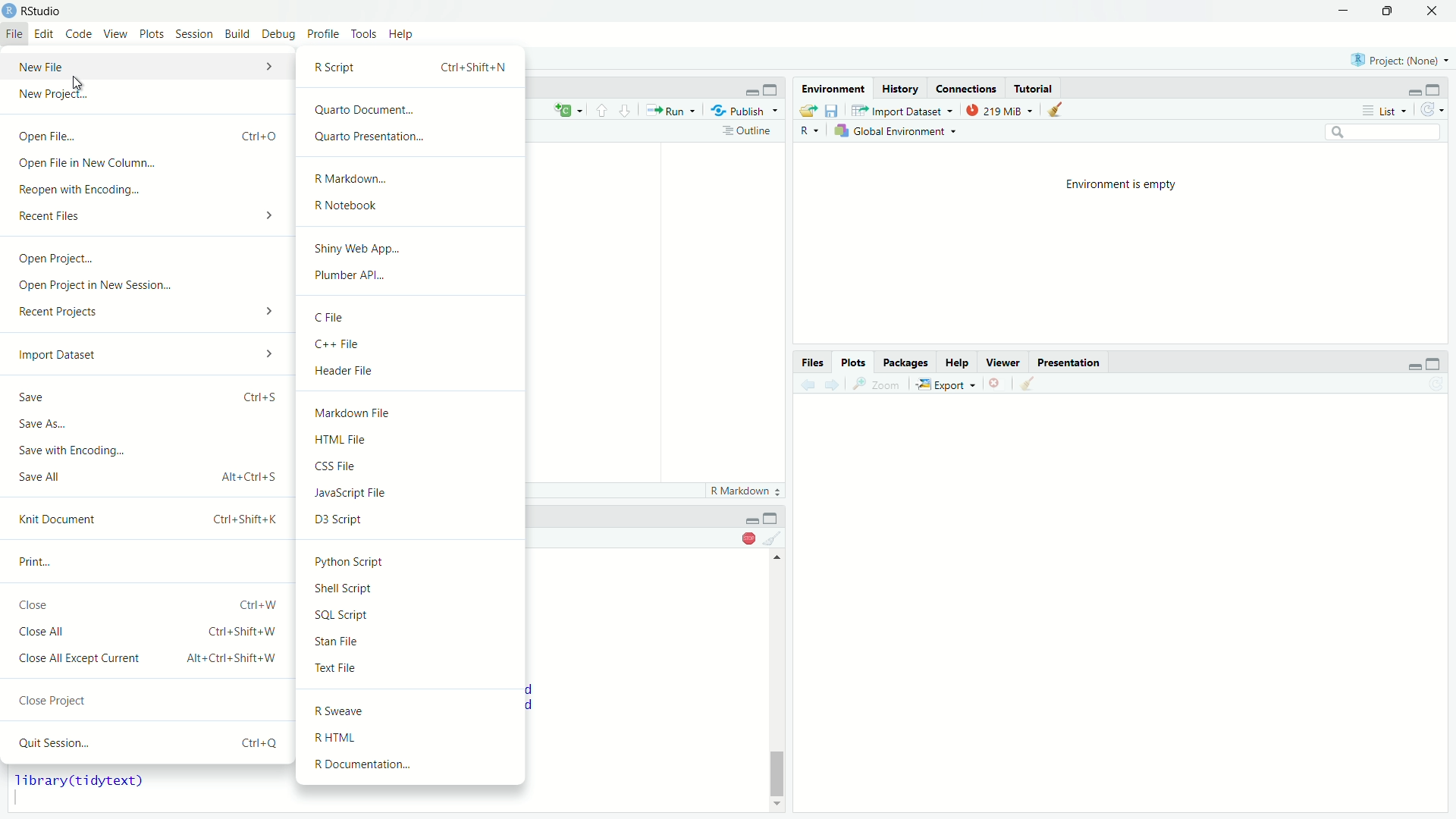 Image resolution: width=1456 pixels, height=819 pixels. Describe the element at coordinates (813, 132) in the screenshot. I see `currently used language - R` at that location.